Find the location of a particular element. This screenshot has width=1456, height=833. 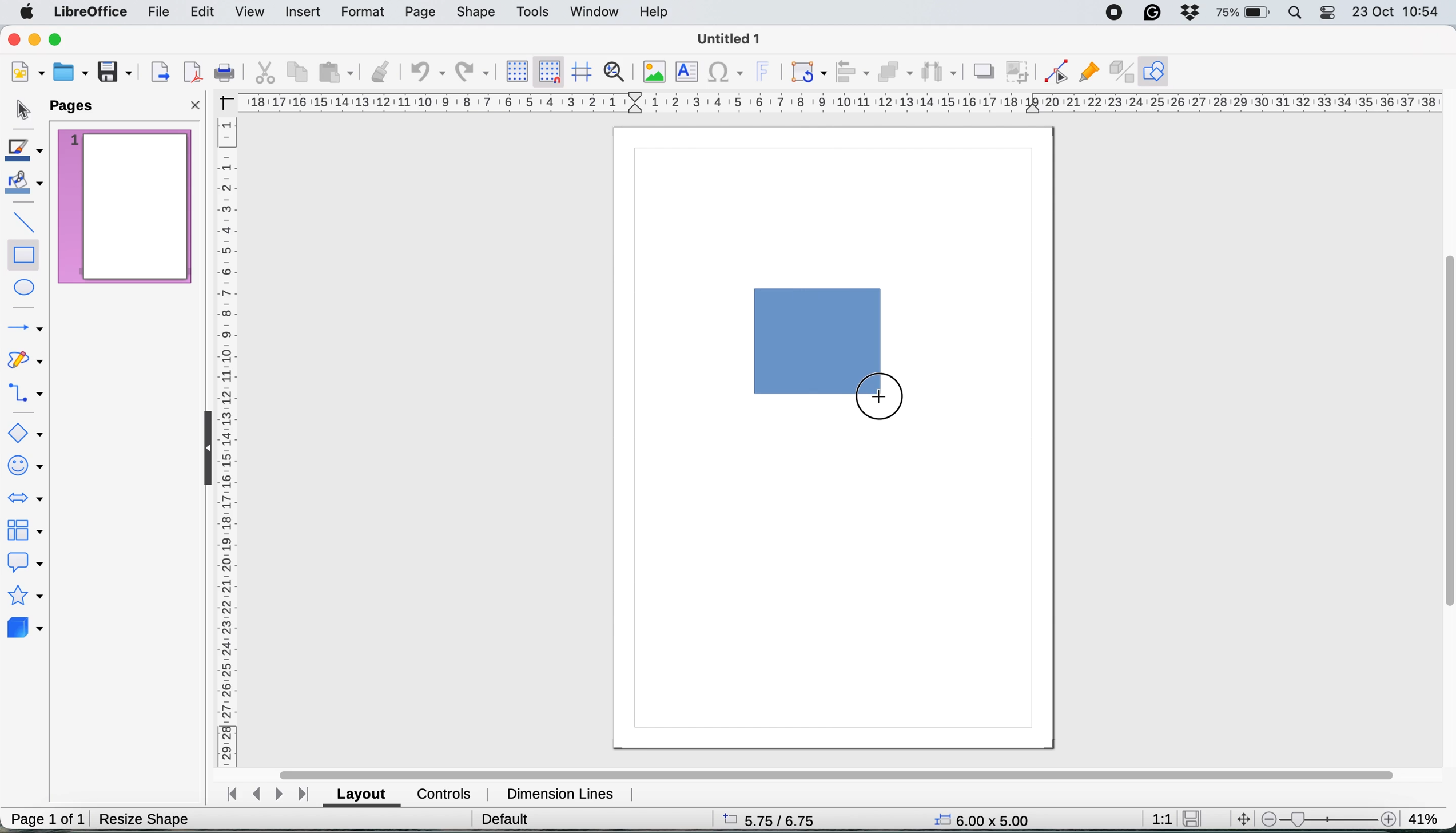

horizontal scroll bar is located at coordinates (837, 768).